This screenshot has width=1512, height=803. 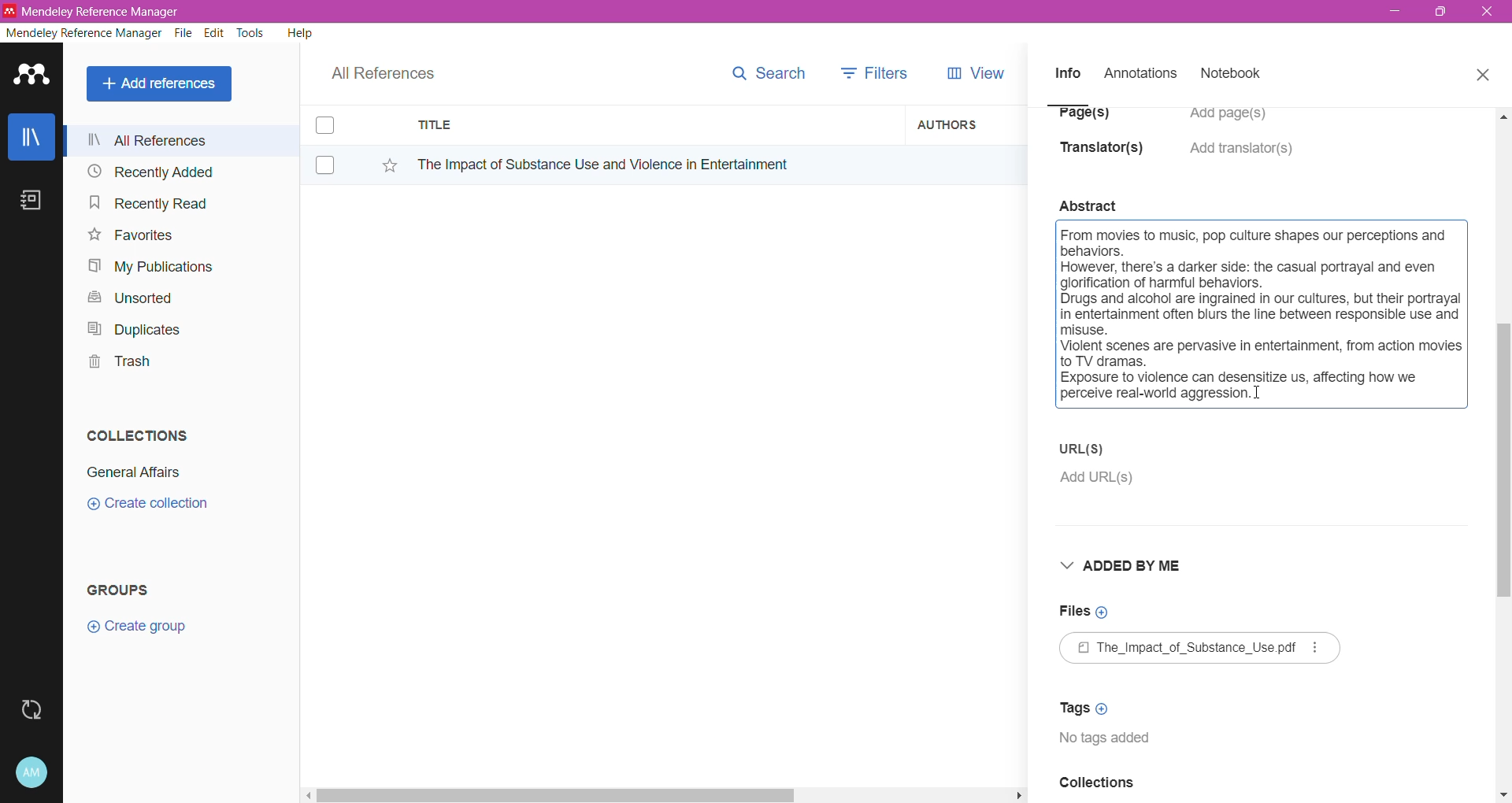 I want to click on Recently Added, so click(x=148, y=172).